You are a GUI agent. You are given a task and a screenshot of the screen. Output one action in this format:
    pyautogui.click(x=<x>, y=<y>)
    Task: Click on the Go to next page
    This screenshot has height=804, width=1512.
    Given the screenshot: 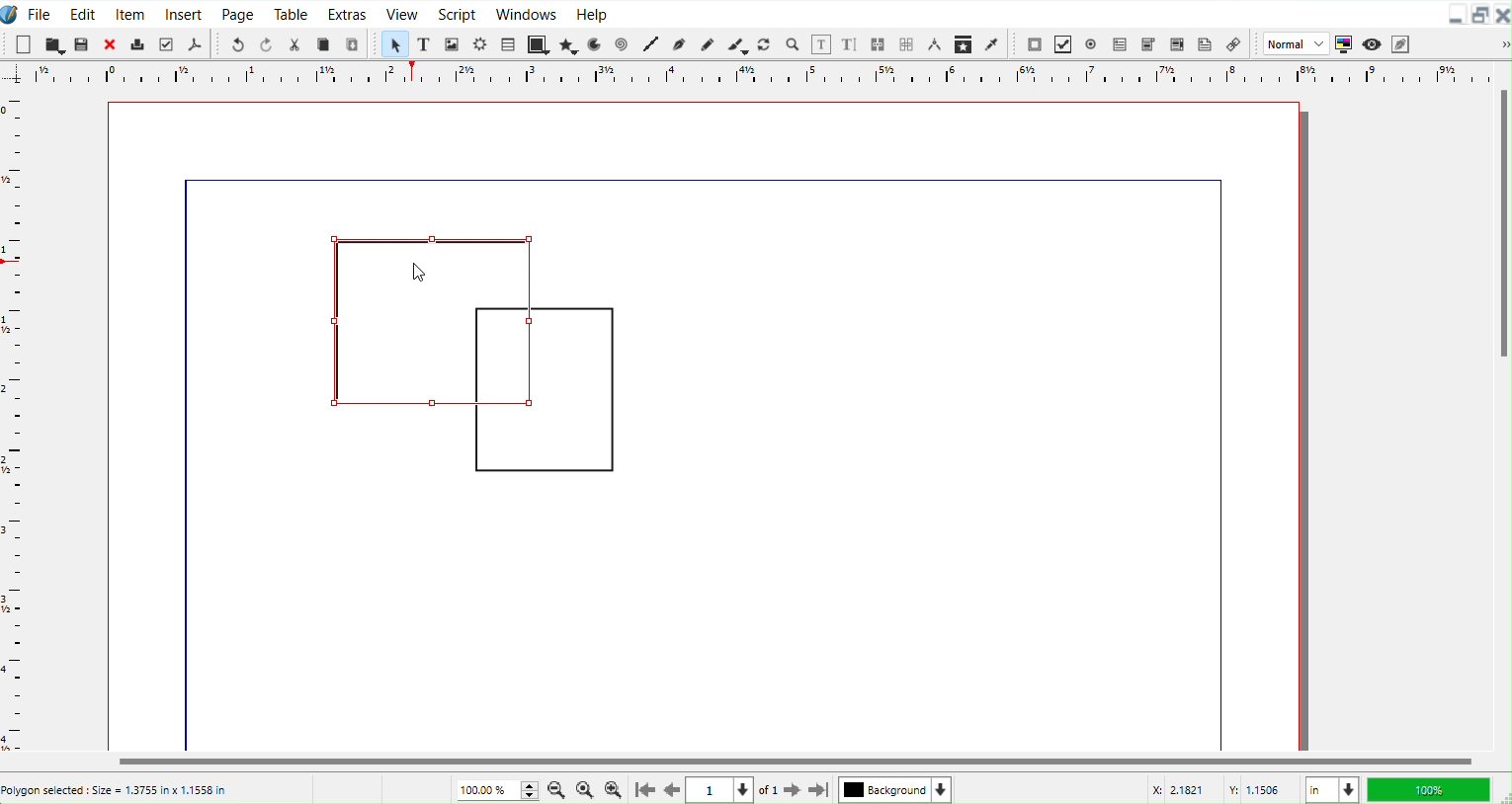 What is the action you would take?
    pyautogui.click(x=795, y=791)
    